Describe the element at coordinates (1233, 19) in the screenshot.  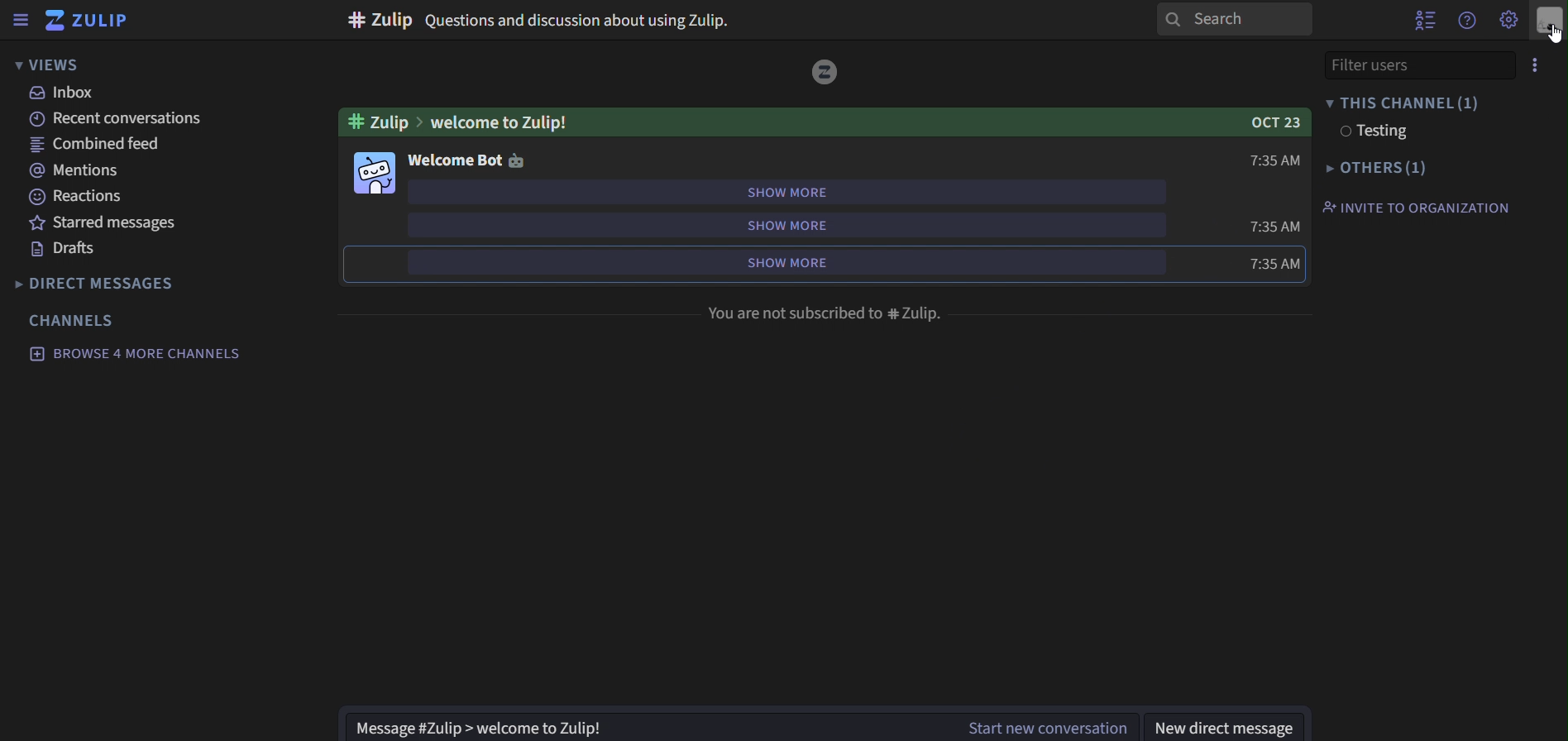
I see `search` at that location.